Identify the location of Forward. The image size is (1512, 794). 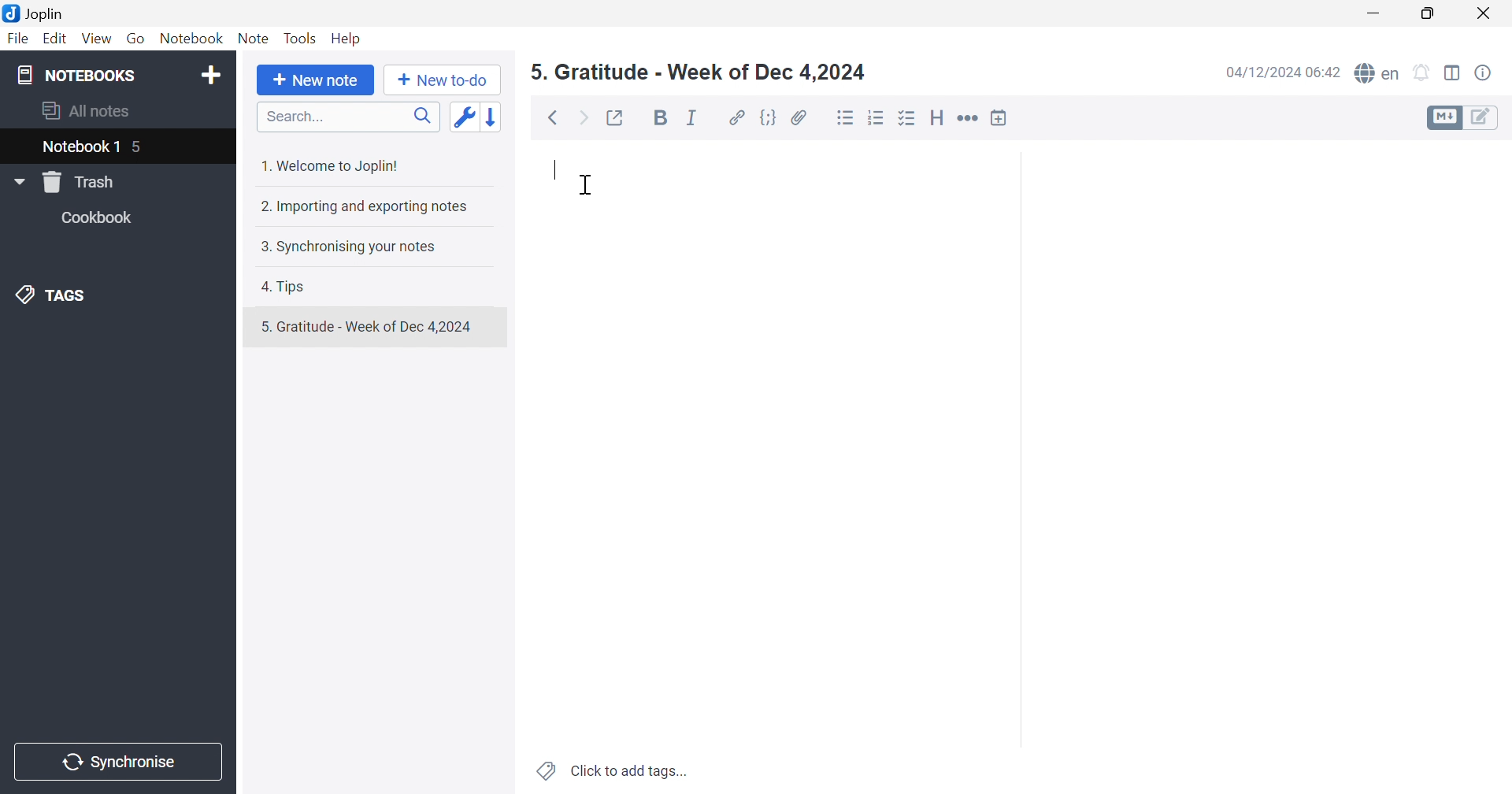
(585, 117).